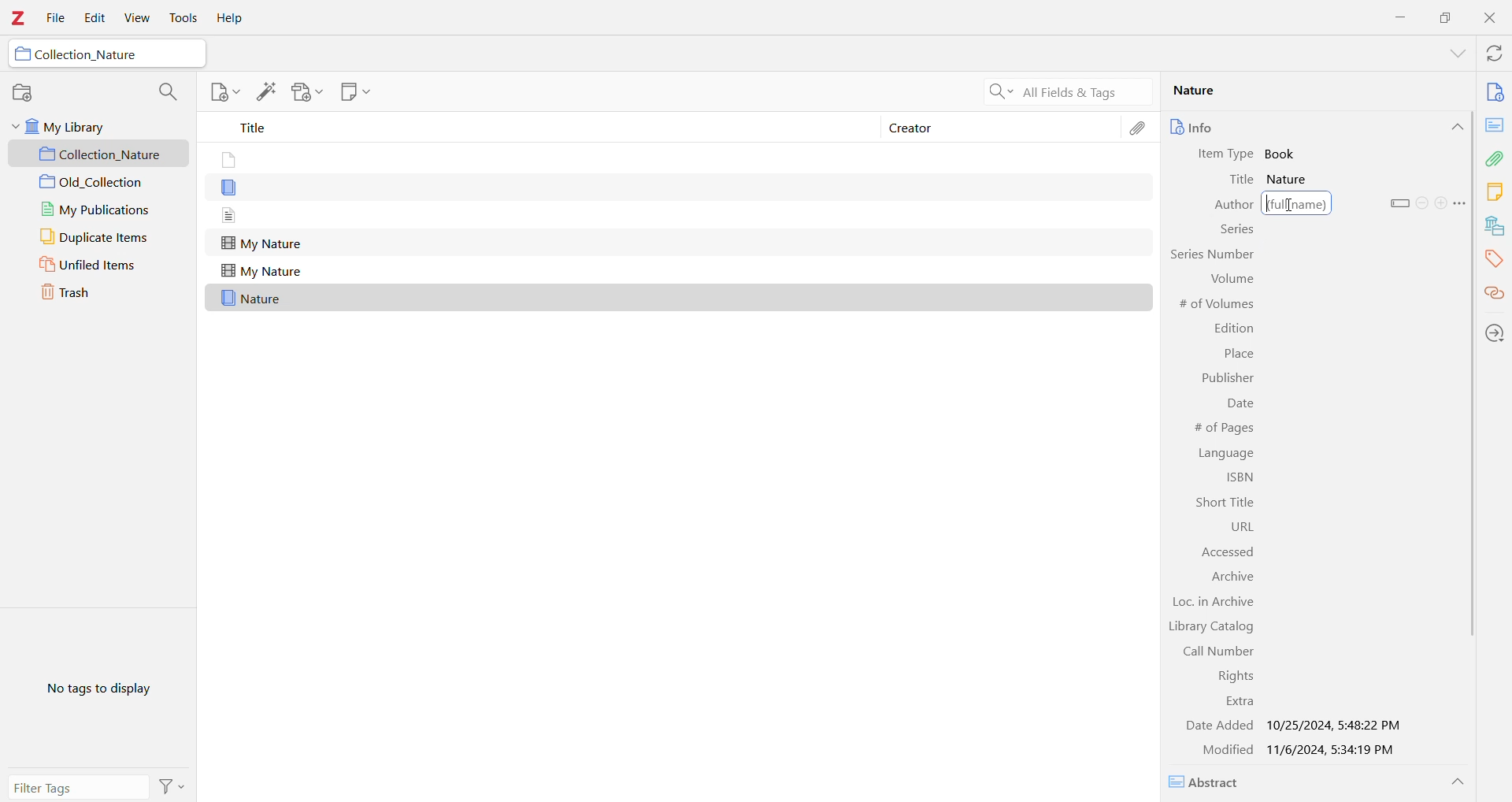 Image resolution: width=1512 pixels, height=802 pixels. I want to click on Series Number, so click(1210, 254).